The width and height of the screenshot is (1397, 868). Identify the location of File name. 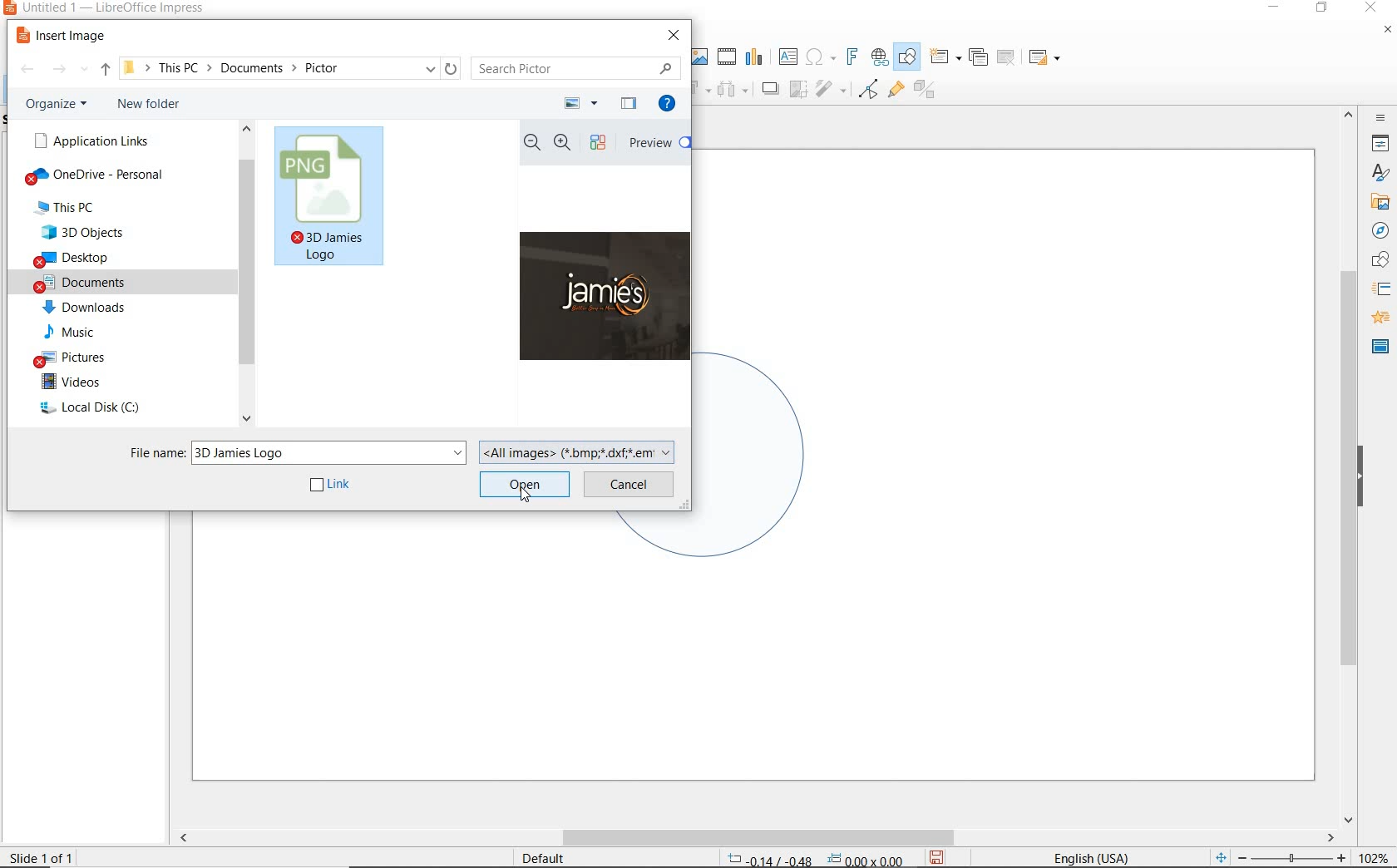
(296, 451).